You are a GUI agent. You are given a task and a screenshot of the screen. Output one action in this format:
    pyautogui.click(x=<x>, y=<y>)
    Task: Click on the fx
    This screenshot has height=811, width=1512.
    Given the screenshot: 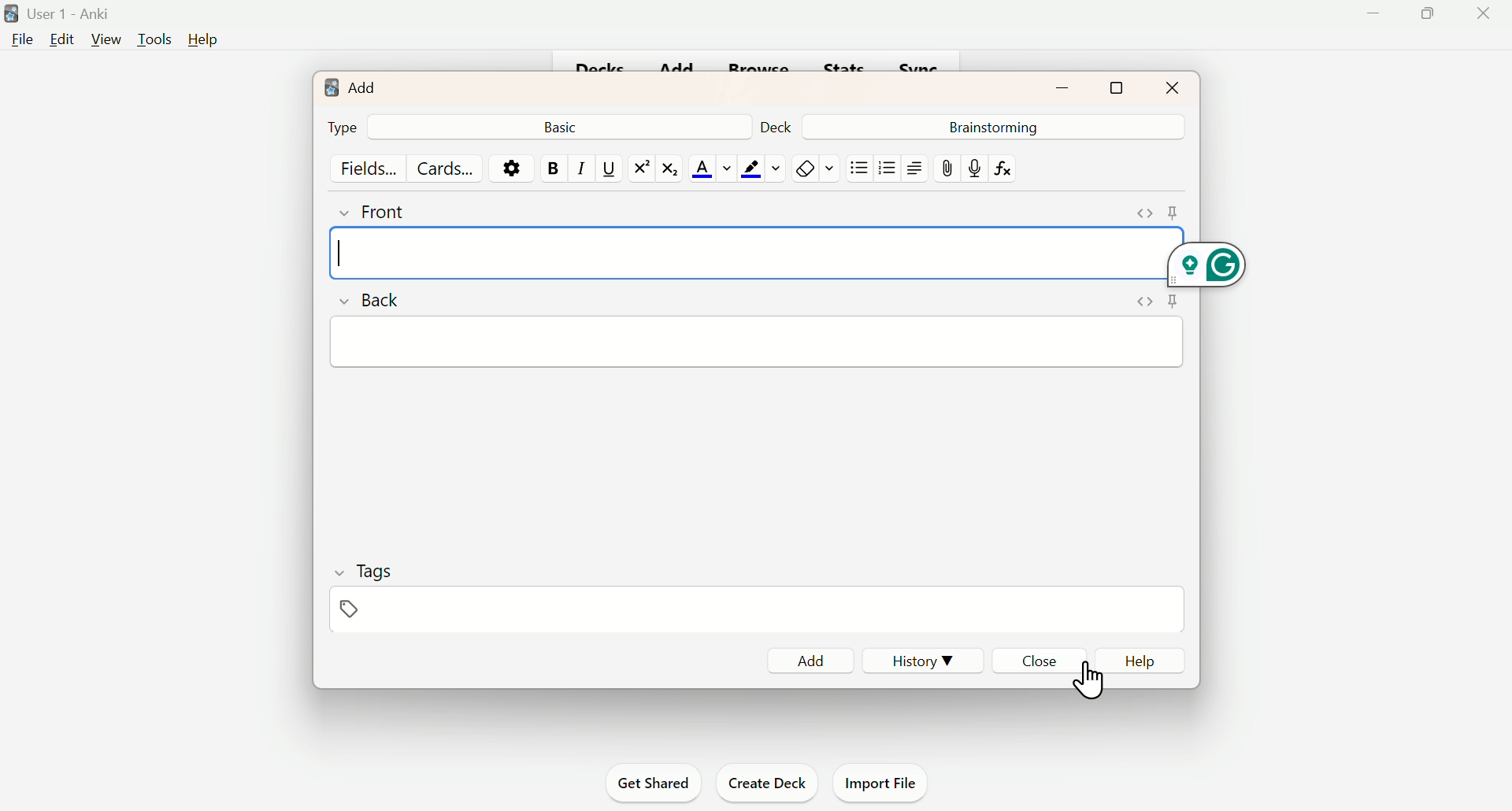 What is the action you would take?
    pyautogui.click(x=1009, y=168)
    